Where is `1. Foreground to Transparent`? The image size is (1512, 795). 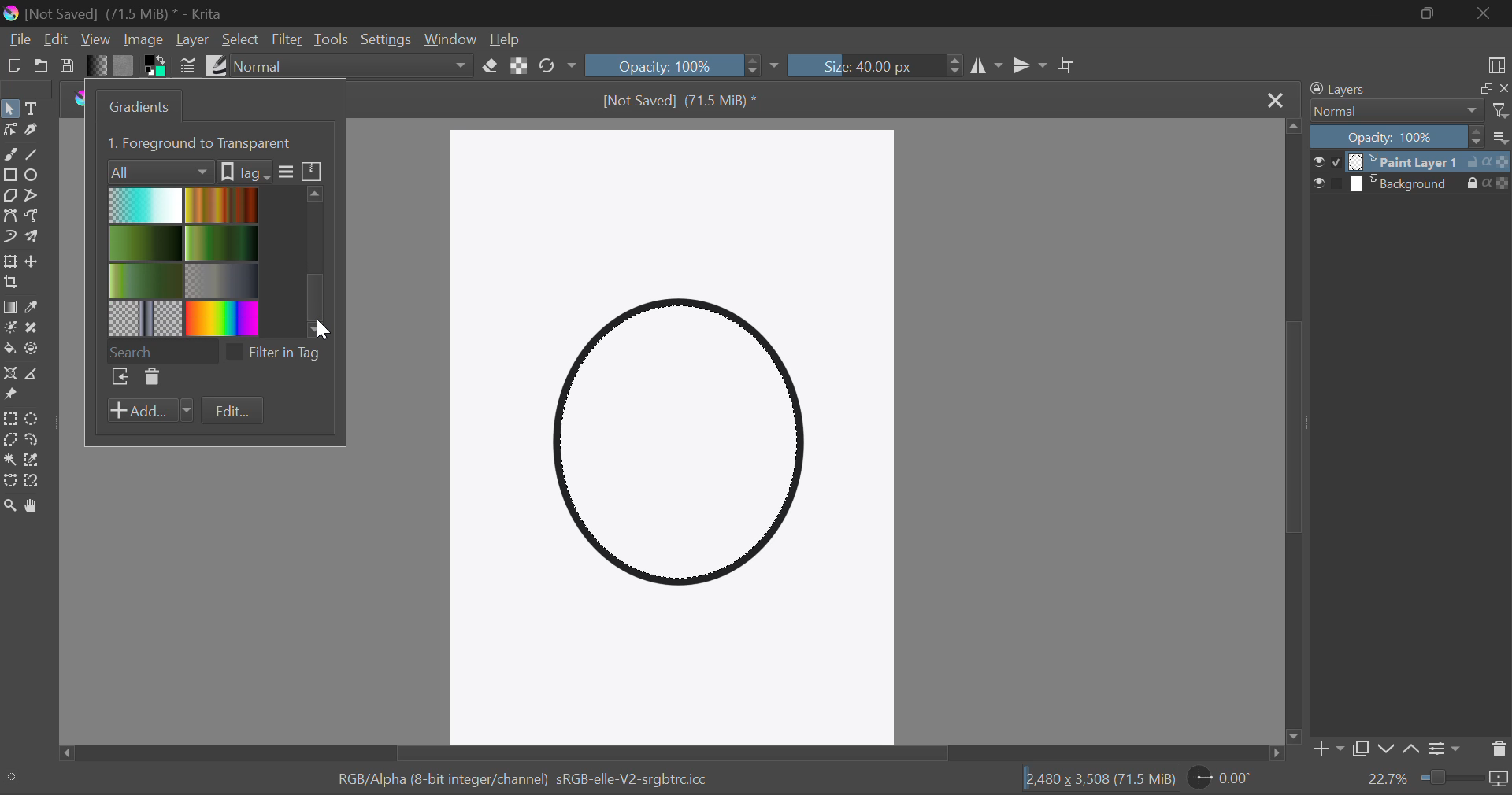 1. Foreground to Transparent is located at coordinates (202, 144).